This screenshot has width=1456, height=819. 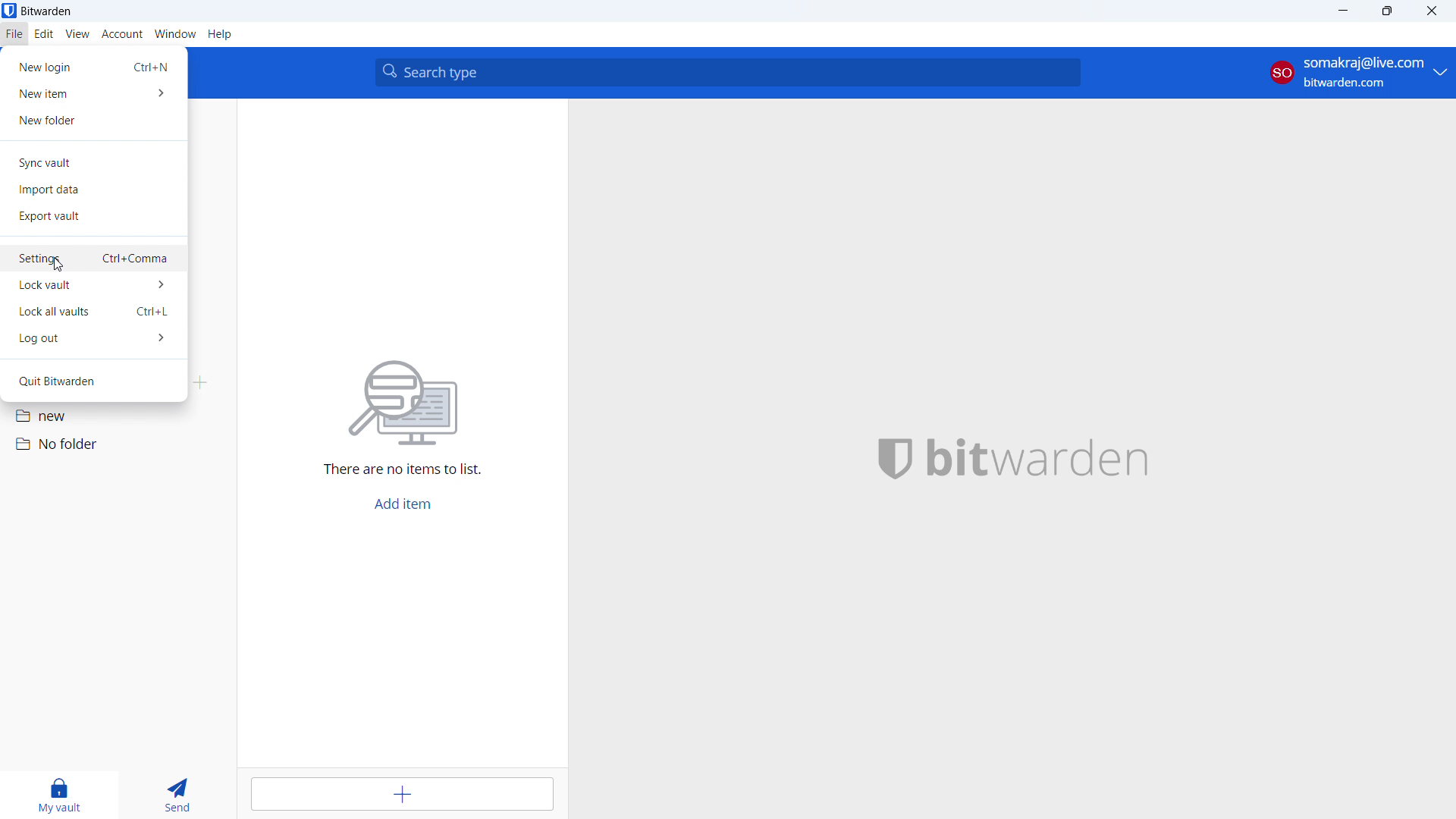 What do you see at coordinates (1387, 11) in the screenshot?
I see `maximize` at bounding box center [1387, 11].